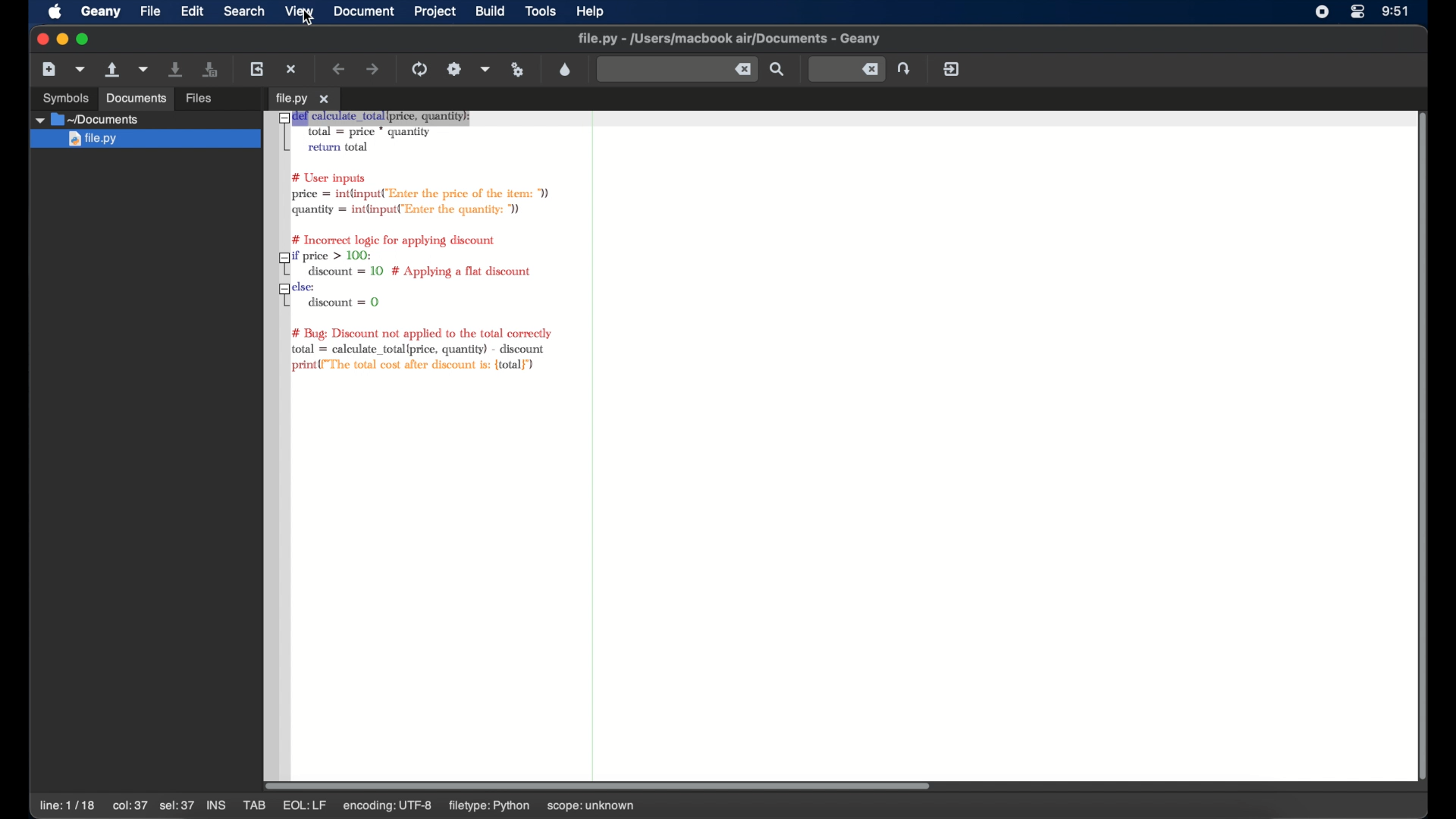  What do you see at coordinates (177, 68) in the screenshot?
I see `save the current file` at bounding box center [177, 68].